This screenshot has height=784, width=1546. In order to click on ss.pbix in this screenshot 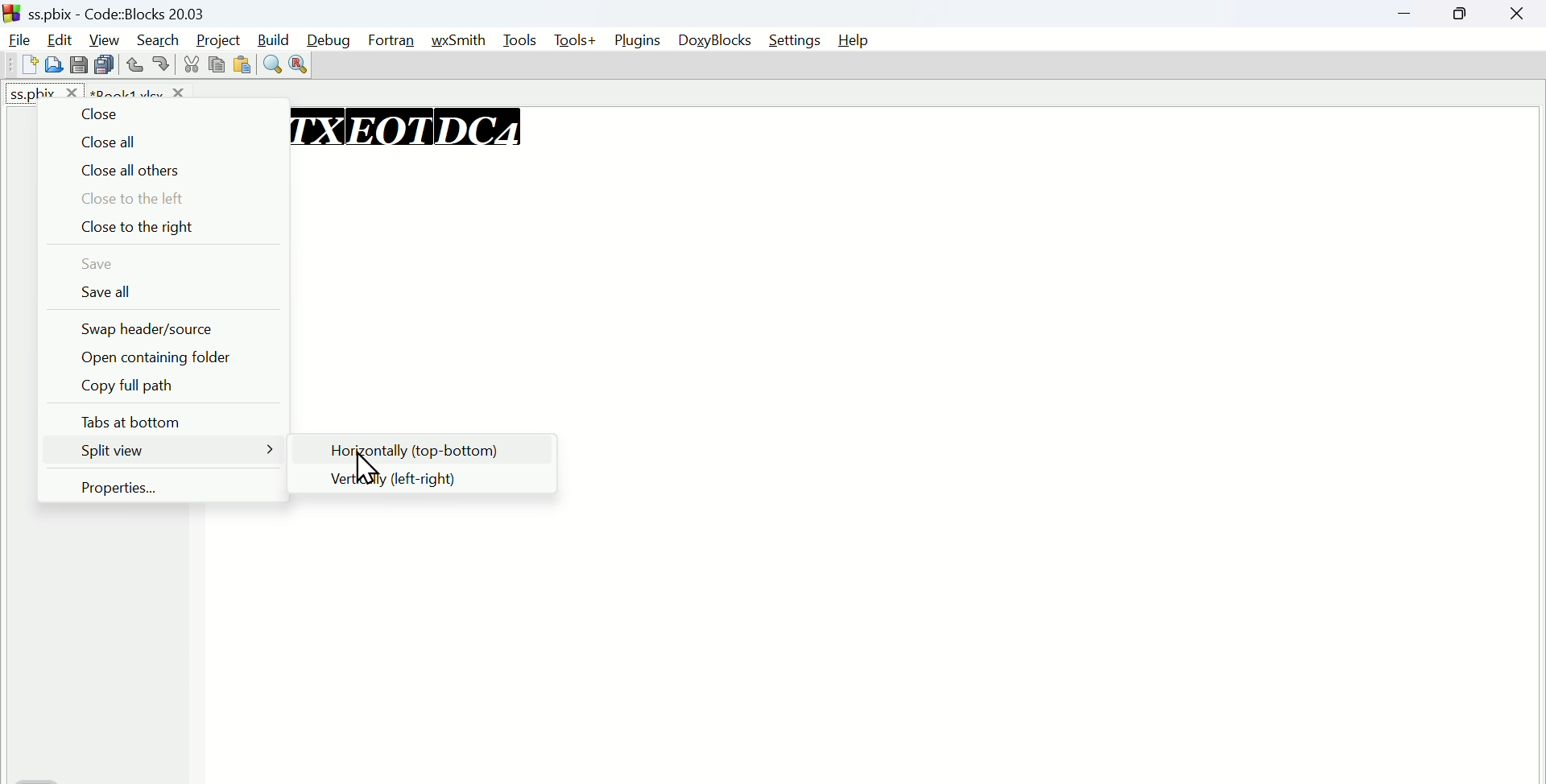, I will do `click(44, 89)`.